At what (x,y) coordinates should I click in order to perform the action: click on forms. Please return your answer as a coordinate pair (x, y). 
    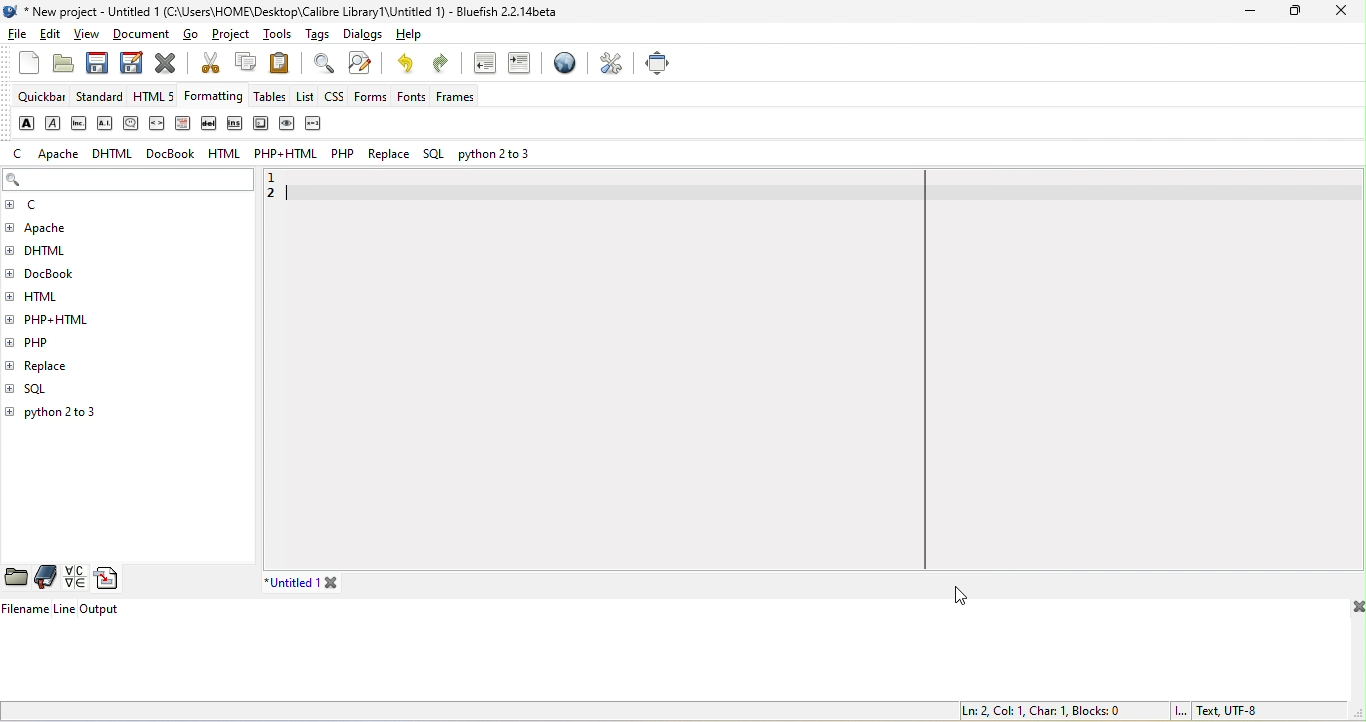
    Looking at the image, I should click on (370, 96).